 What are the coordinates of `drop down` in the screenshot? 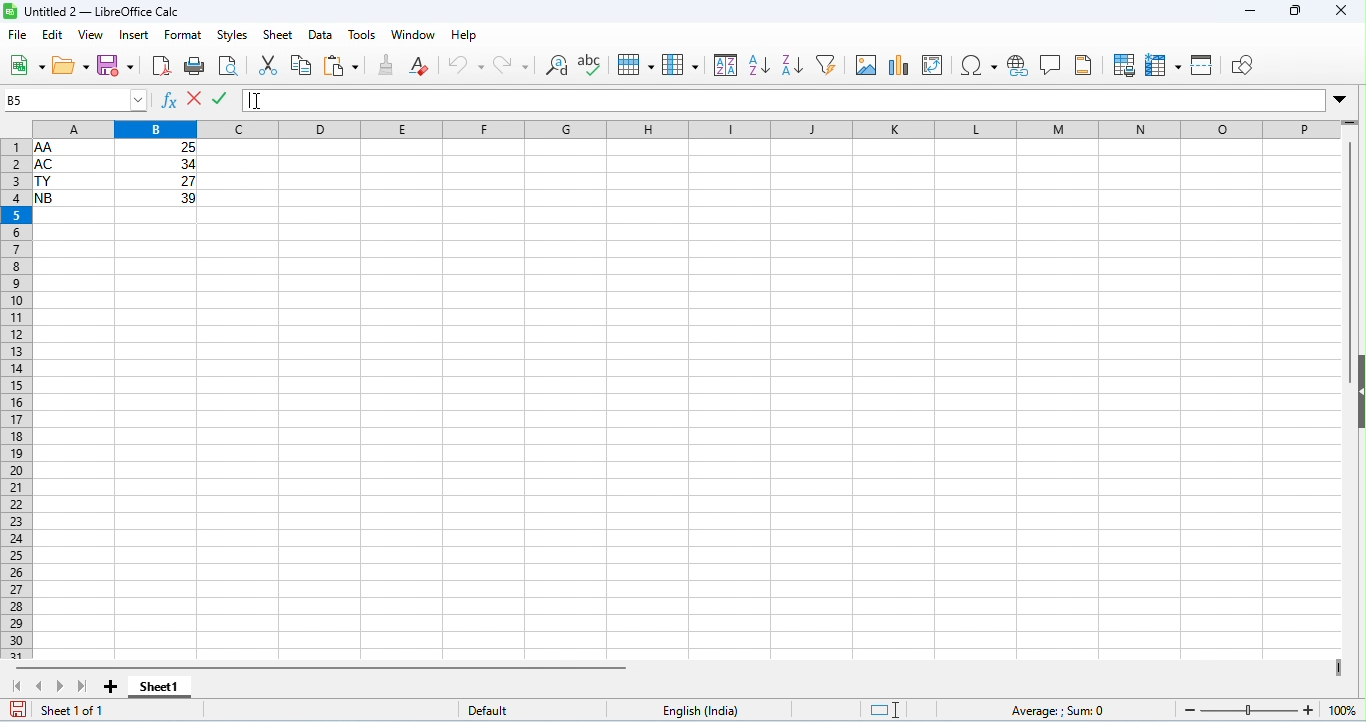 It's located at (1341, 100).